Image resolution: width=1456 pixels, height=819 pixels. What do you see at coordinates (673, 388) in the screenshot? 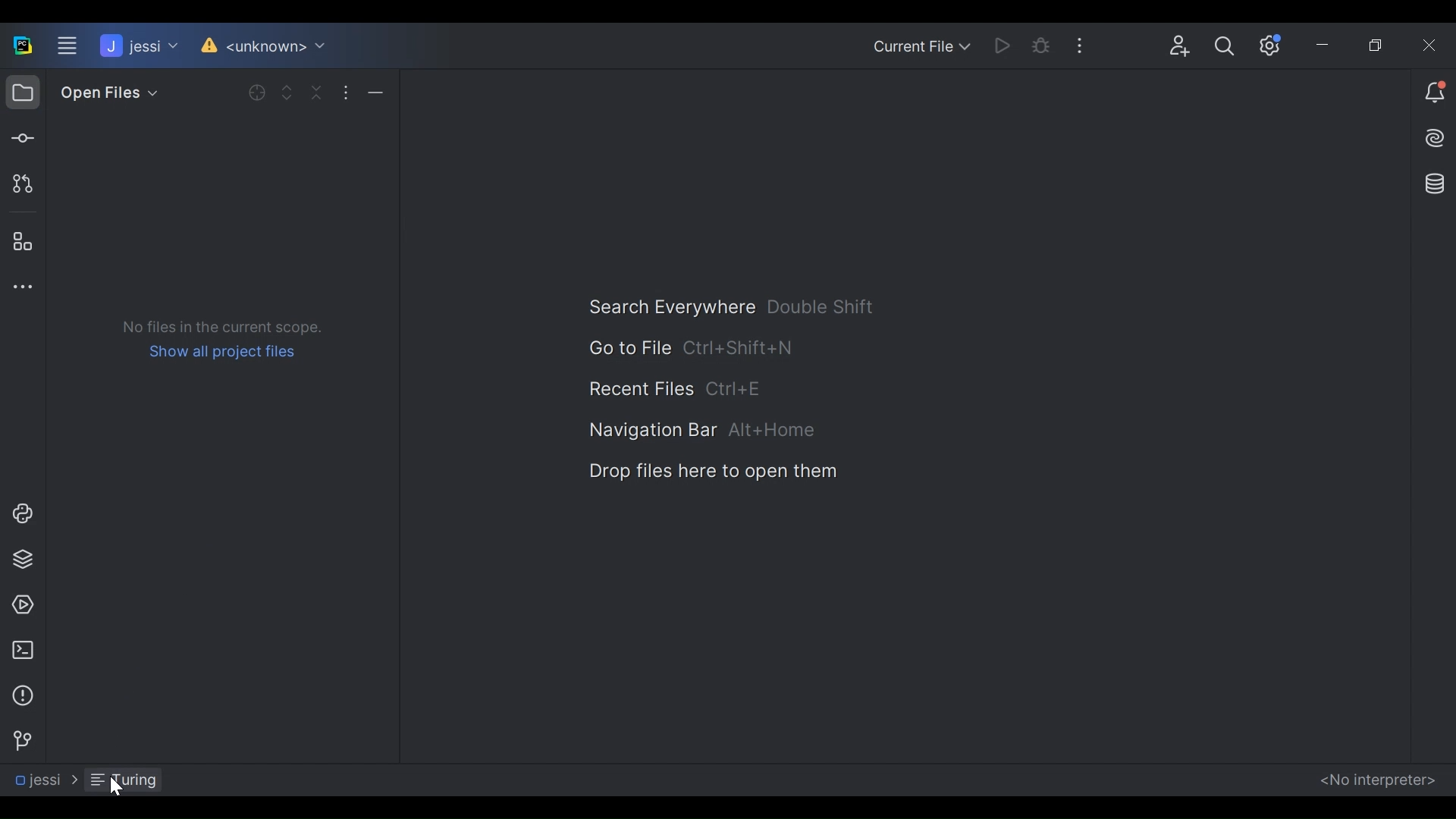
I see `Recent File` at bounding box center [673, 388].